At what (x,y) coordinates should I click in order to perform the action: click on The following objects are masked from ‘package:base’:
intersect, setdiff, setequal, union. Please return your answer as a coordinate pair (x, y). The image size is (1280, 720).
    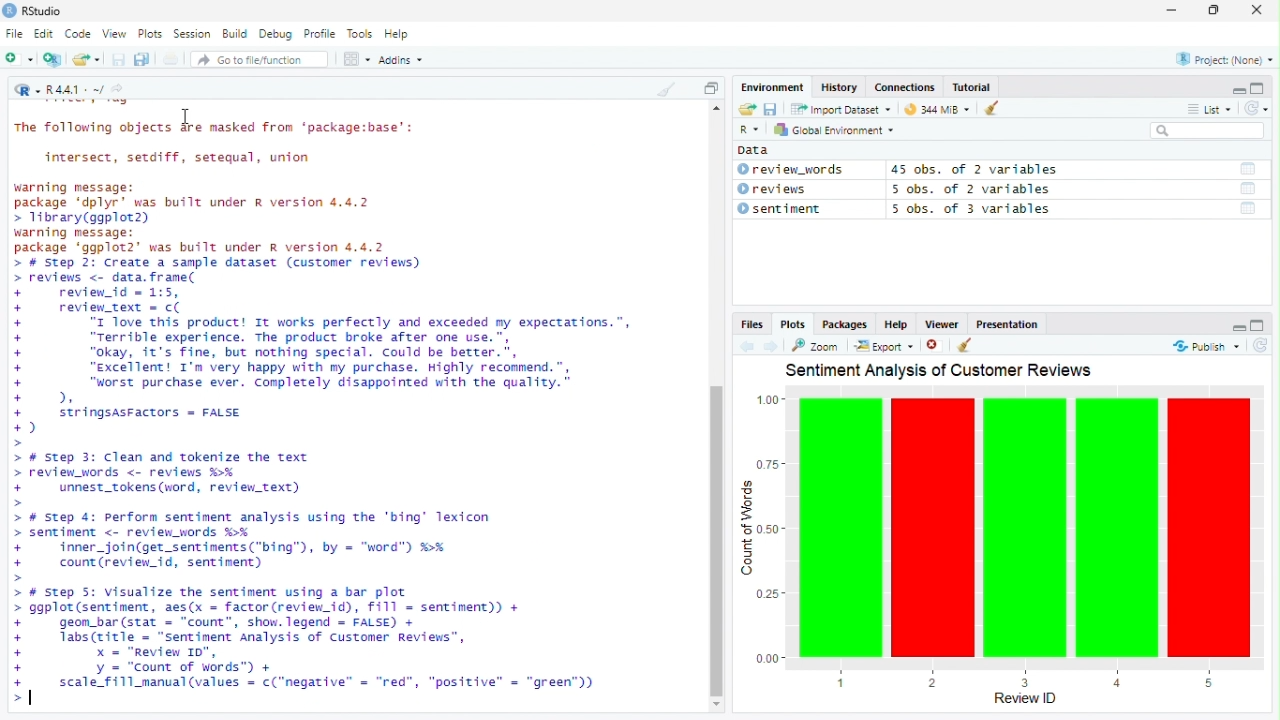
    Looking at the image, I should click on (221, 141).